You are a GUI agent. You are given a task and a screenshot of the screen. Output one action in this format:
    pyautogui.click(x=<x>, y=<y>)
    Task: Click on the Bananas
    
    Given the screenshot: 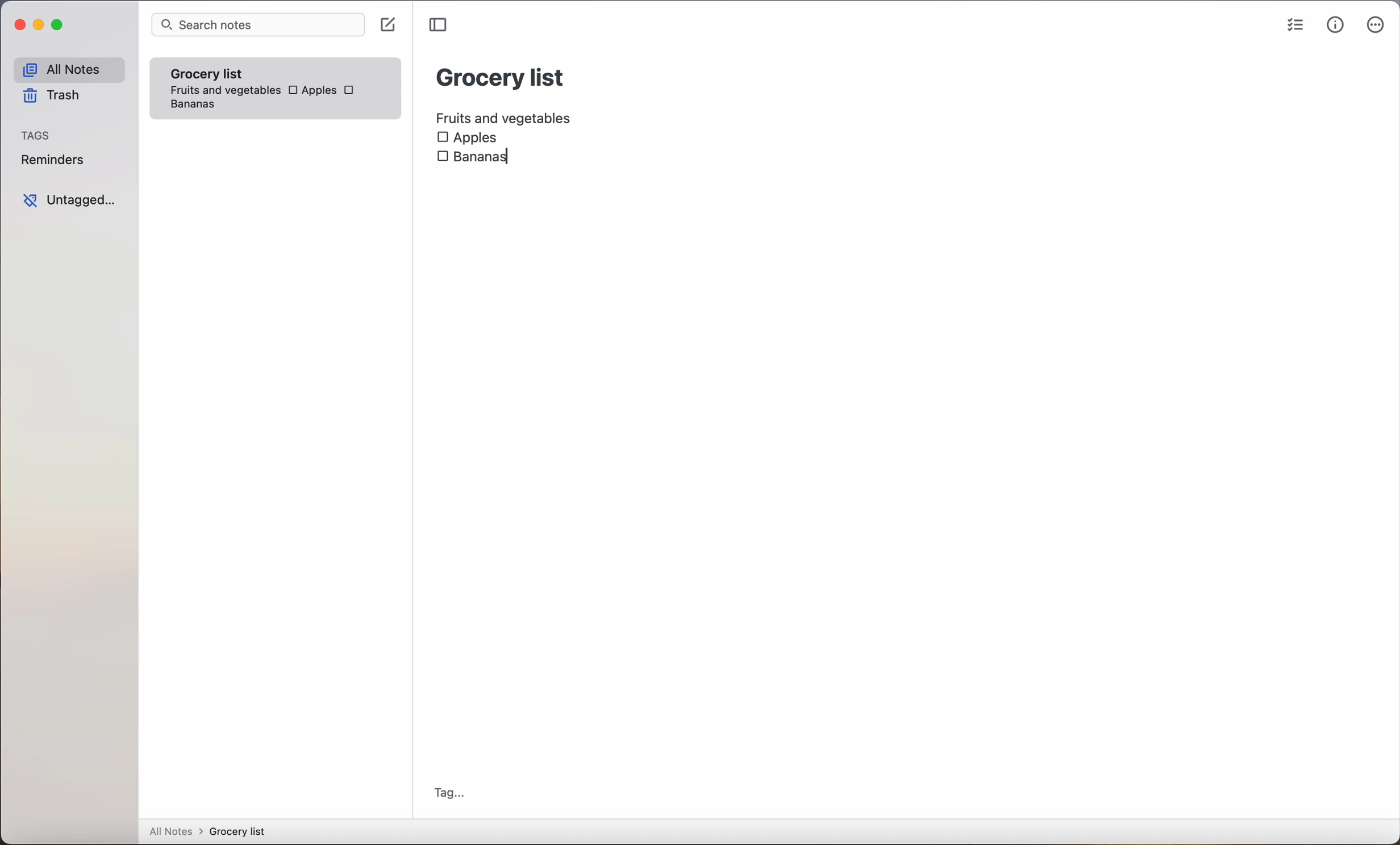 What is the action you would take?
    pyautogui.click(x=191, y=106)
    